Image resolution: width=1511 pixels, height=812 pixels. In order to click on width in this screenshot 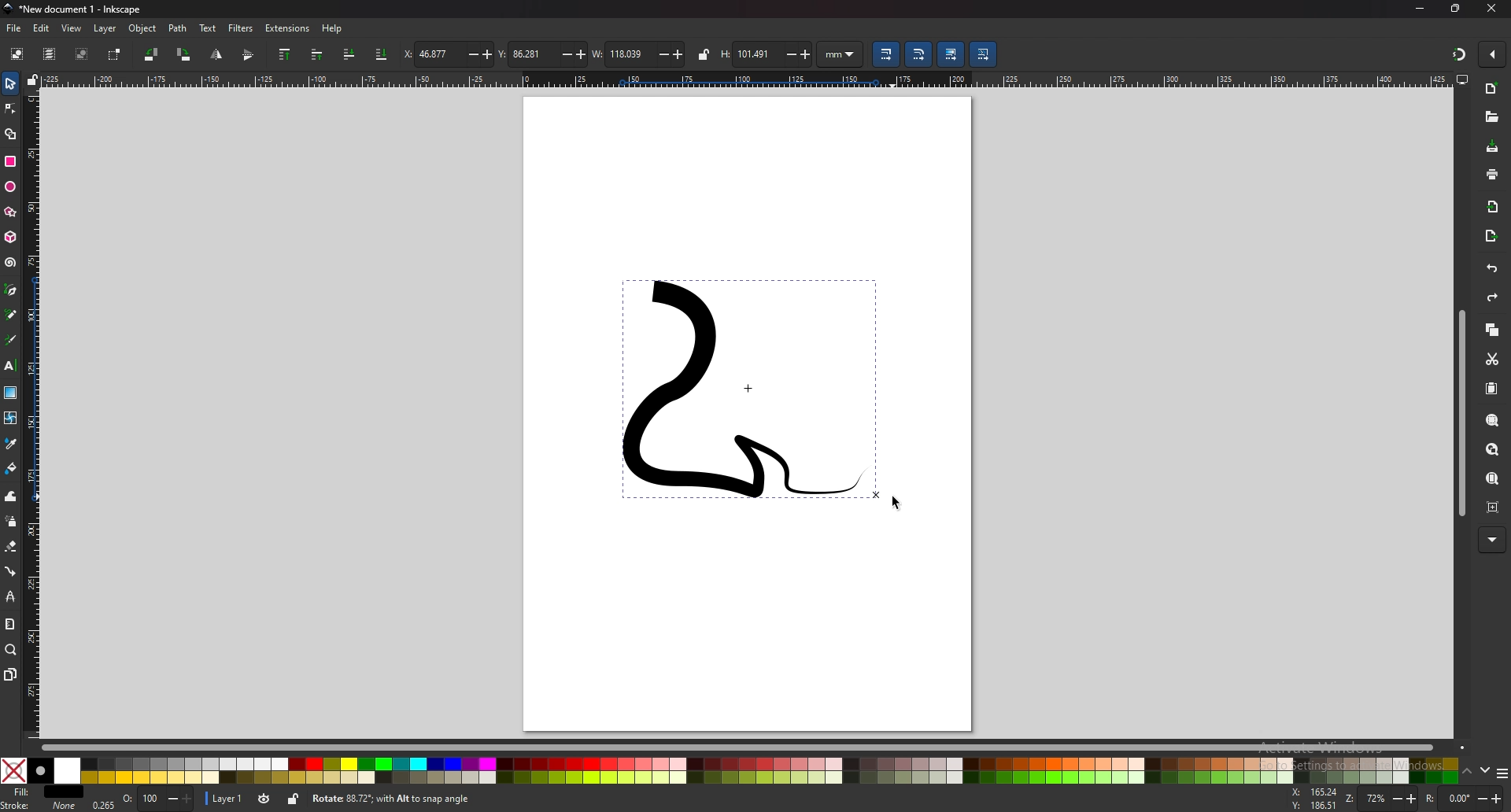, I will do `click(637, 54)`.